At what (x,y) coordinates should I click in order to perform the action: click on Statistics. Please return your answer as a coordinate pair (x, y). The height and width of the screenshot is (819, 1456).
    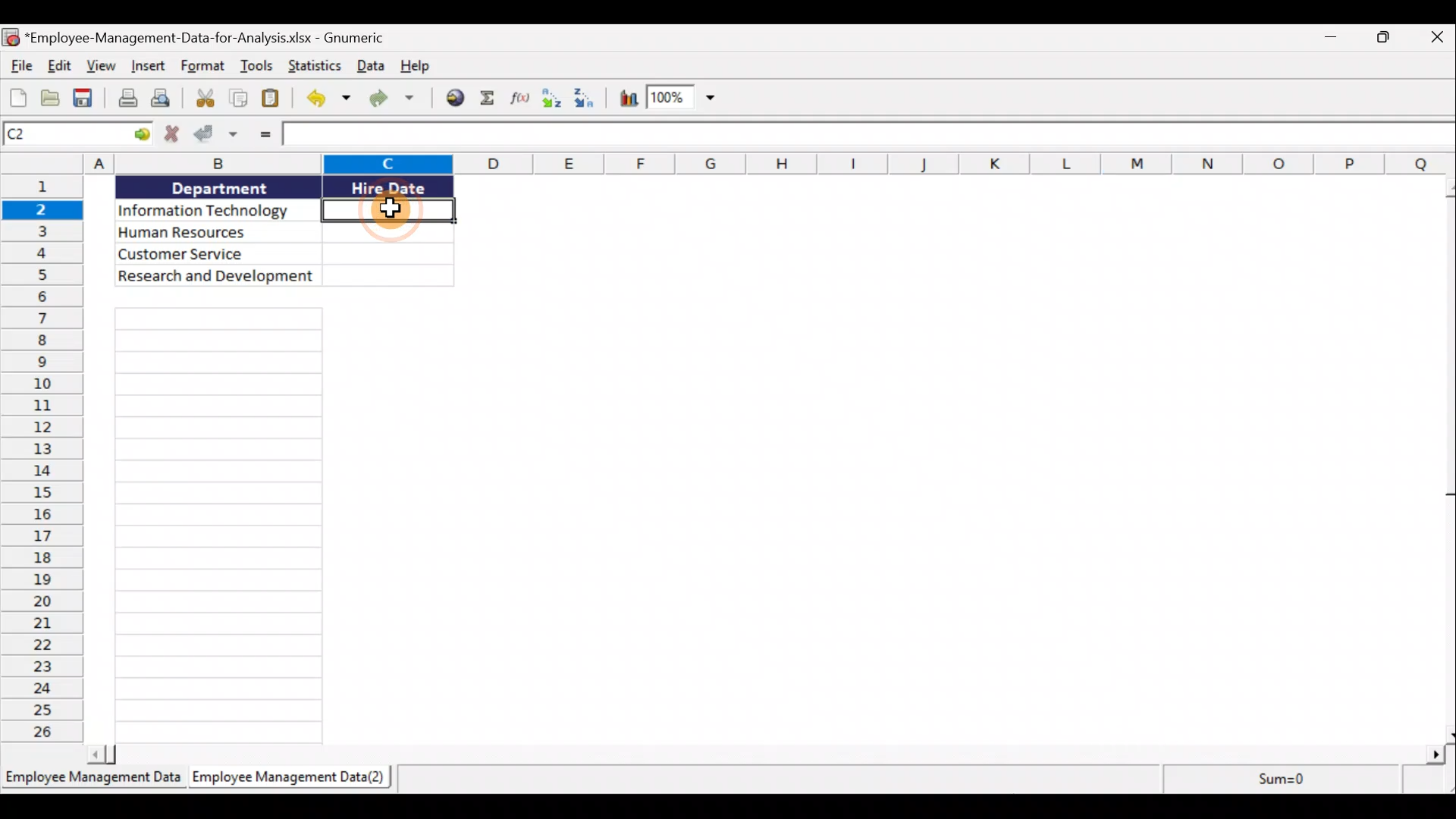
    Looking at the image, I should click on (313, 65).